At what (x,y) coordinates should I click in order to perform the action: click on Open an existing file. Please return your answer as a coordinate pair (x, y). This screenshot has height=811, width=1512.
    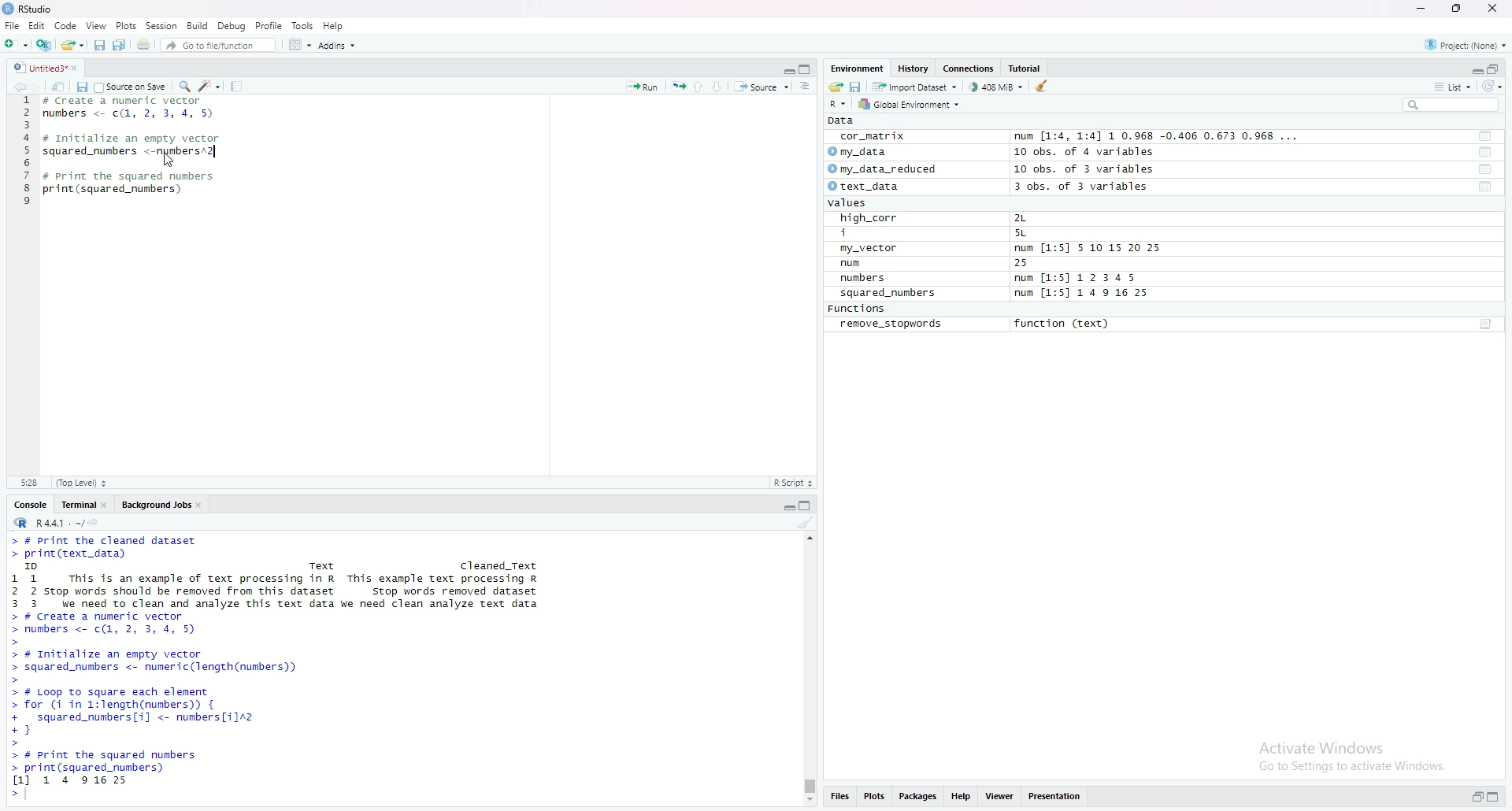
    Looking at the image, I should click on (72, 43).